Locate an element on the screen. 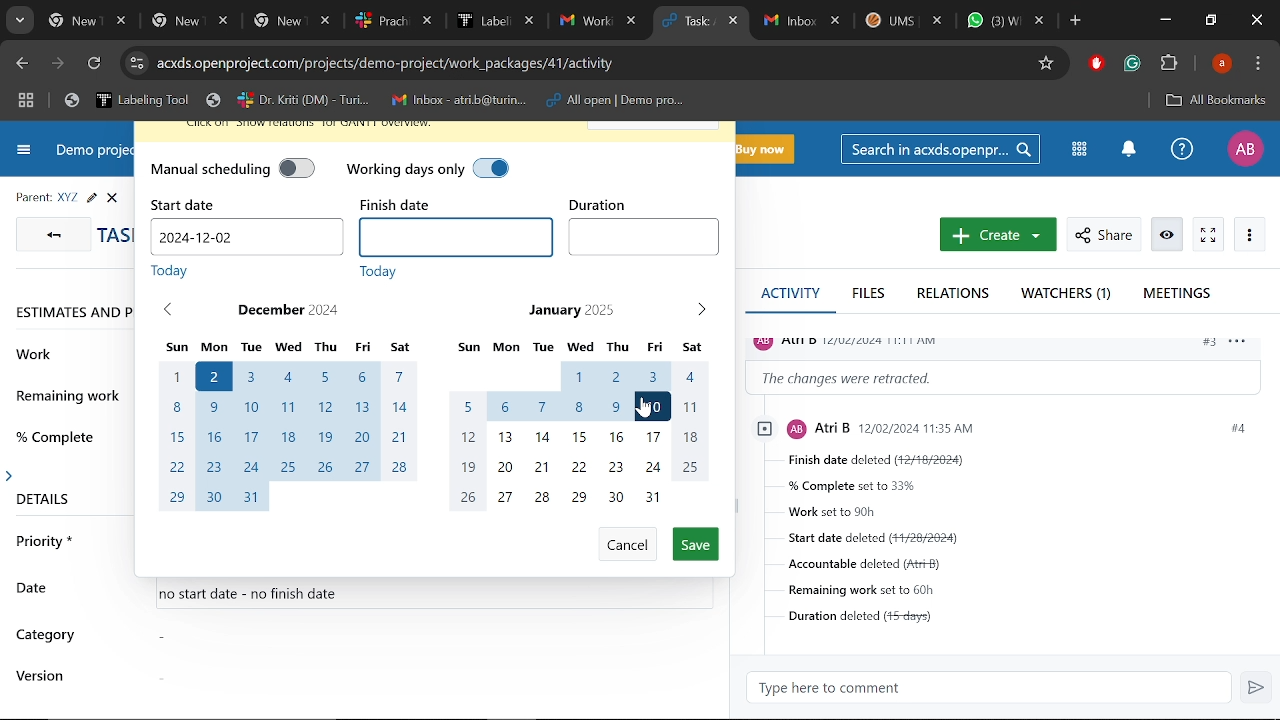  January 2025 is located at coordinates (571, 308).